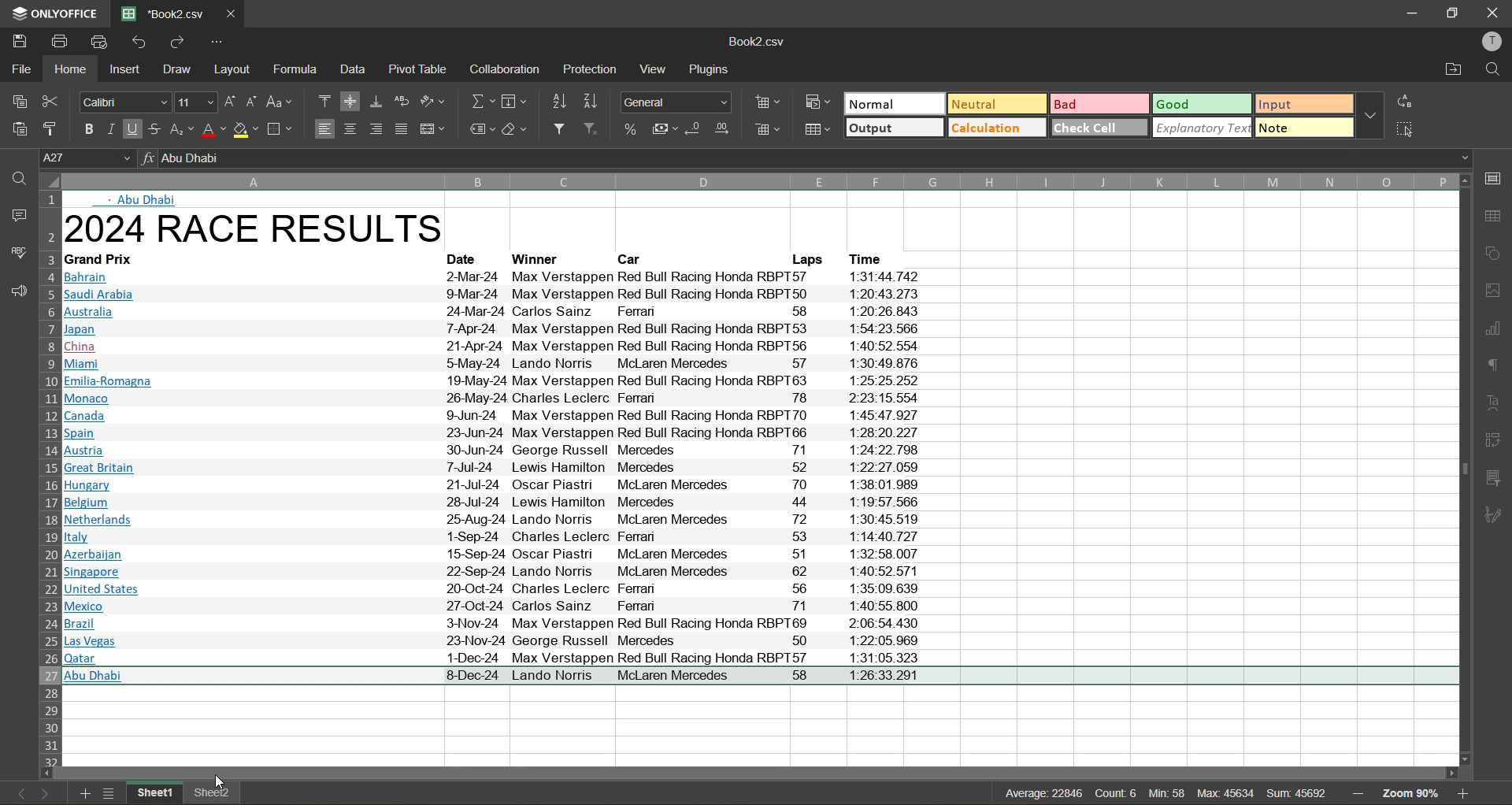  Describe the element at coordinates (491, 607) in the screenshot. I see `text info` at that location.